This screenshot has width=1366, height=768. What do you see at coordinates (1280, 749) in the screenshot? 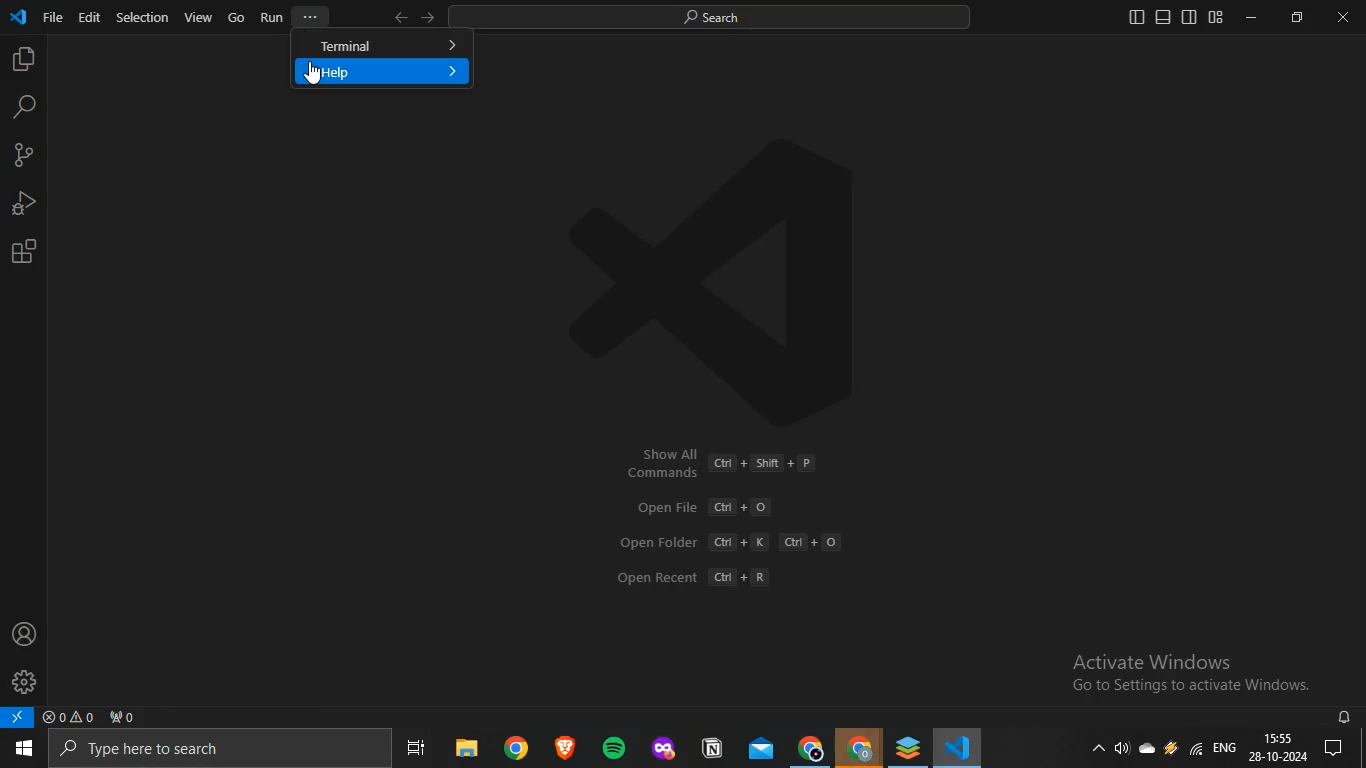
I see `date and time` at bounding box center [1280, 749].